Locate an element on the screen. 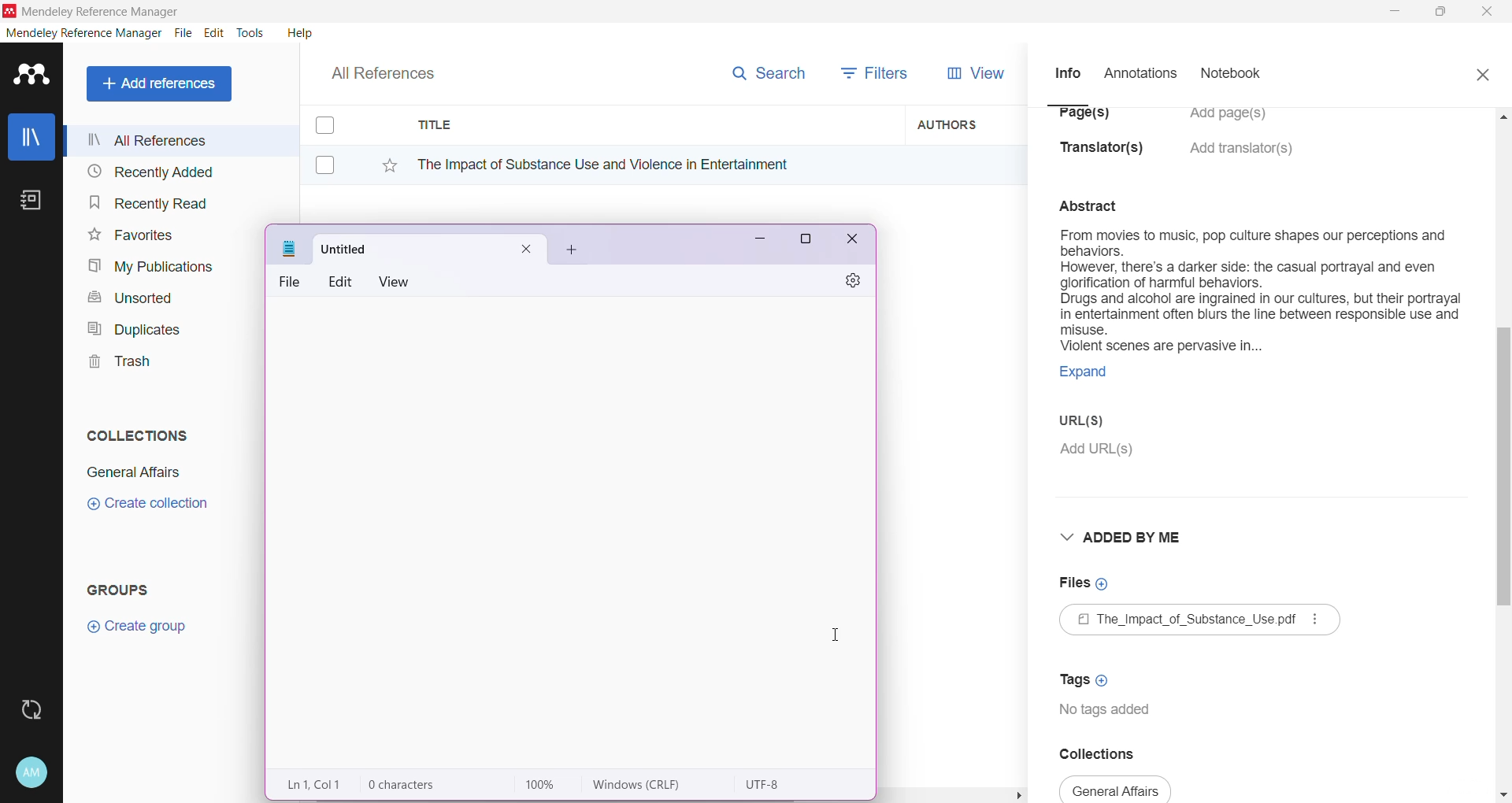 Image resolution: width=1512 pixels, height=803 pixels. Number of Characters in the pasted text is located at coordinates (422, 785).